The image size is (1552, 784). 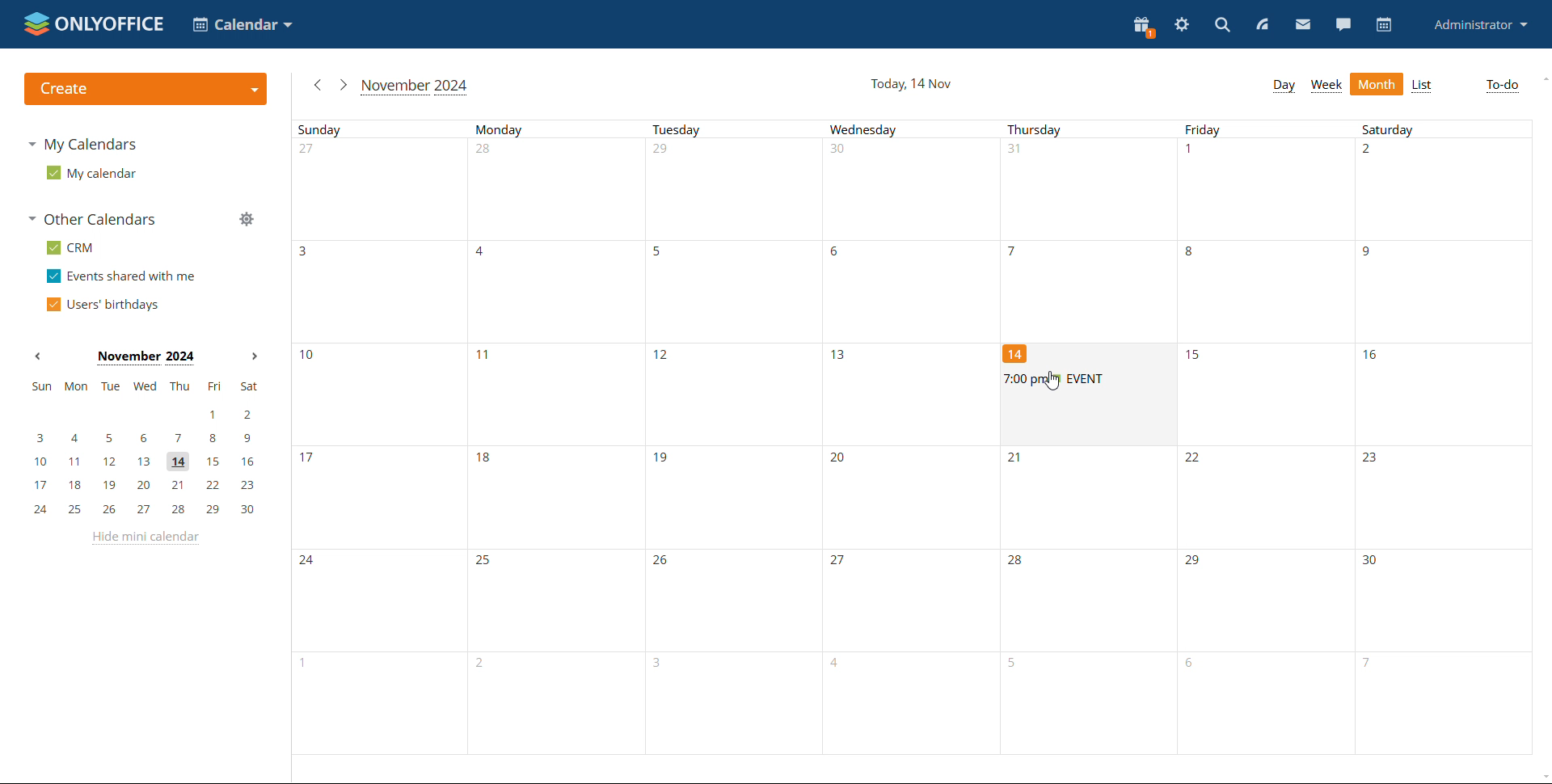 I want to click on present, so click(x=1142, y=27).